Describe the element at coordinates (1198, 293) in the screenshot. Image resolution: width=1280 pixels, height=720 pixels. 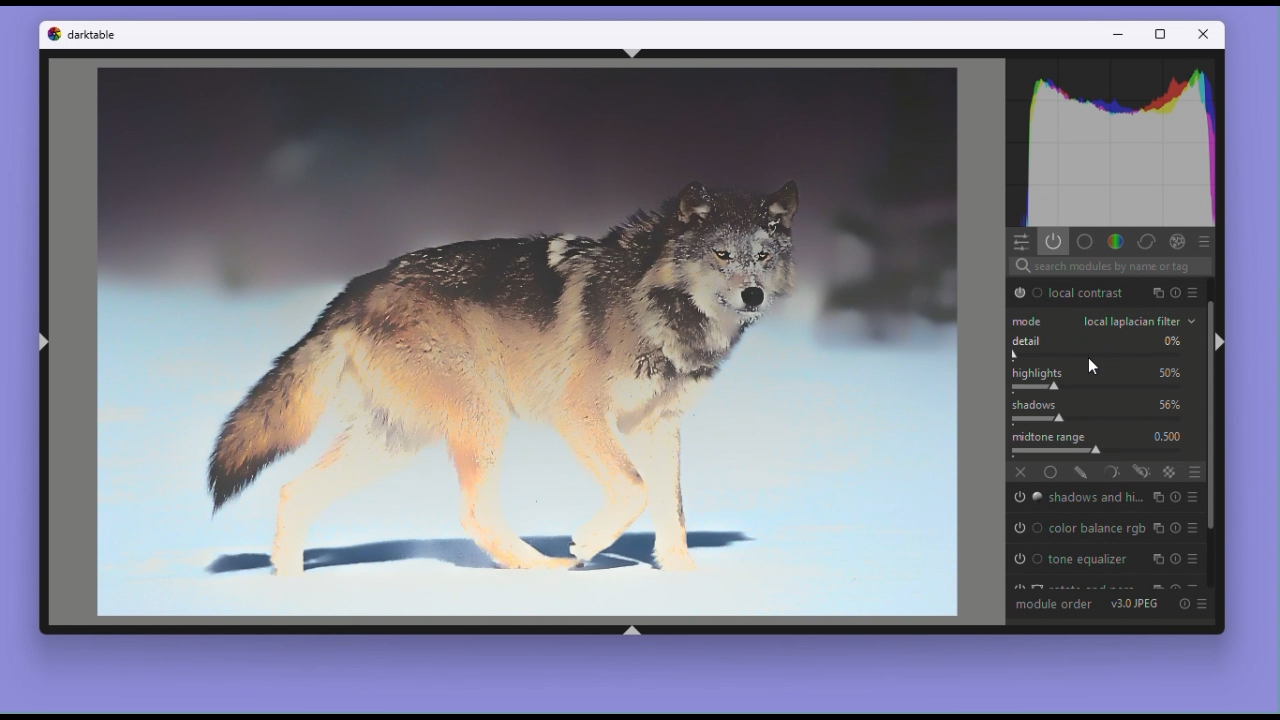
I see `` at that location.